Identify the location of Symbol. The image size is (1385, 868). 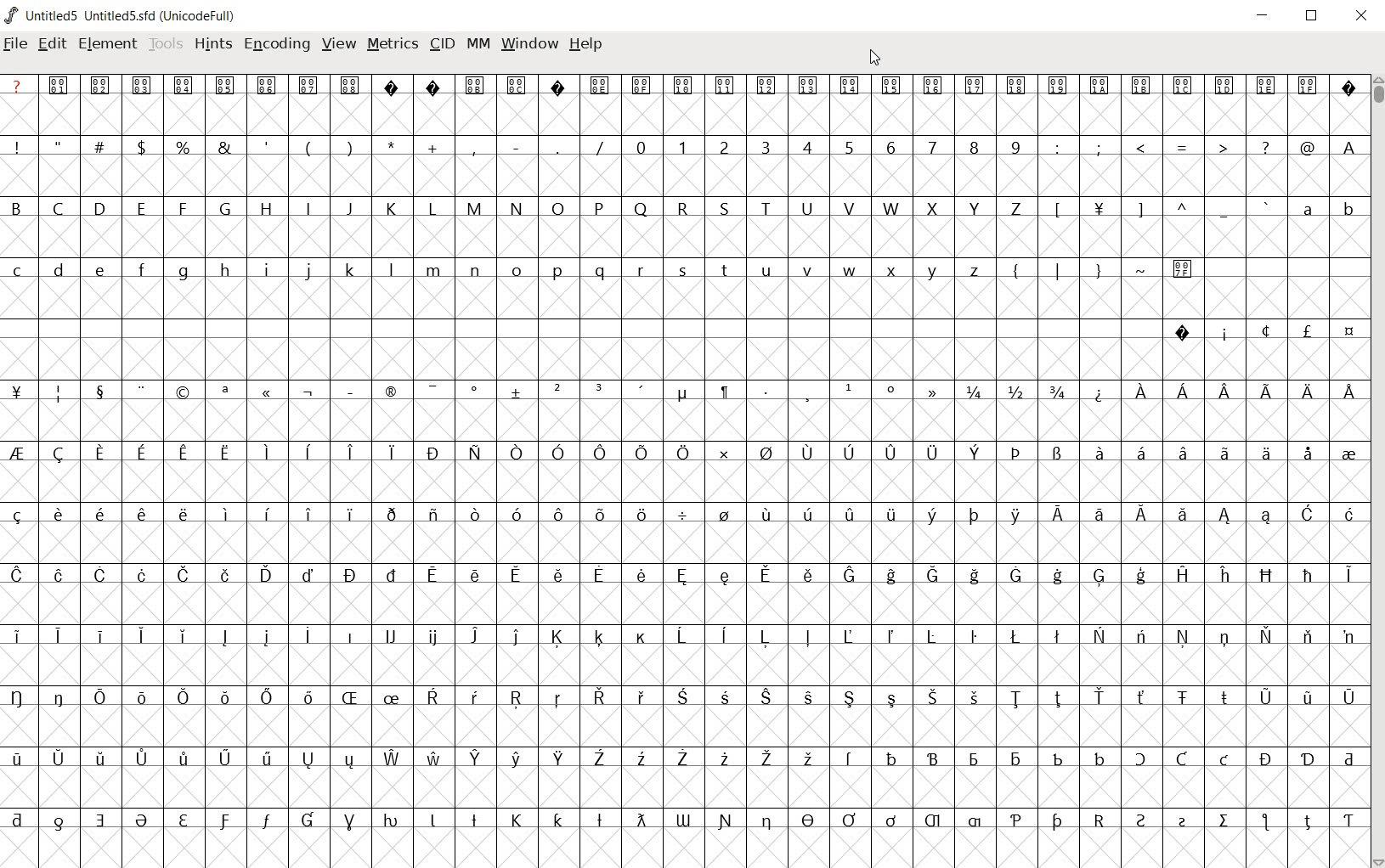
(100, 575).